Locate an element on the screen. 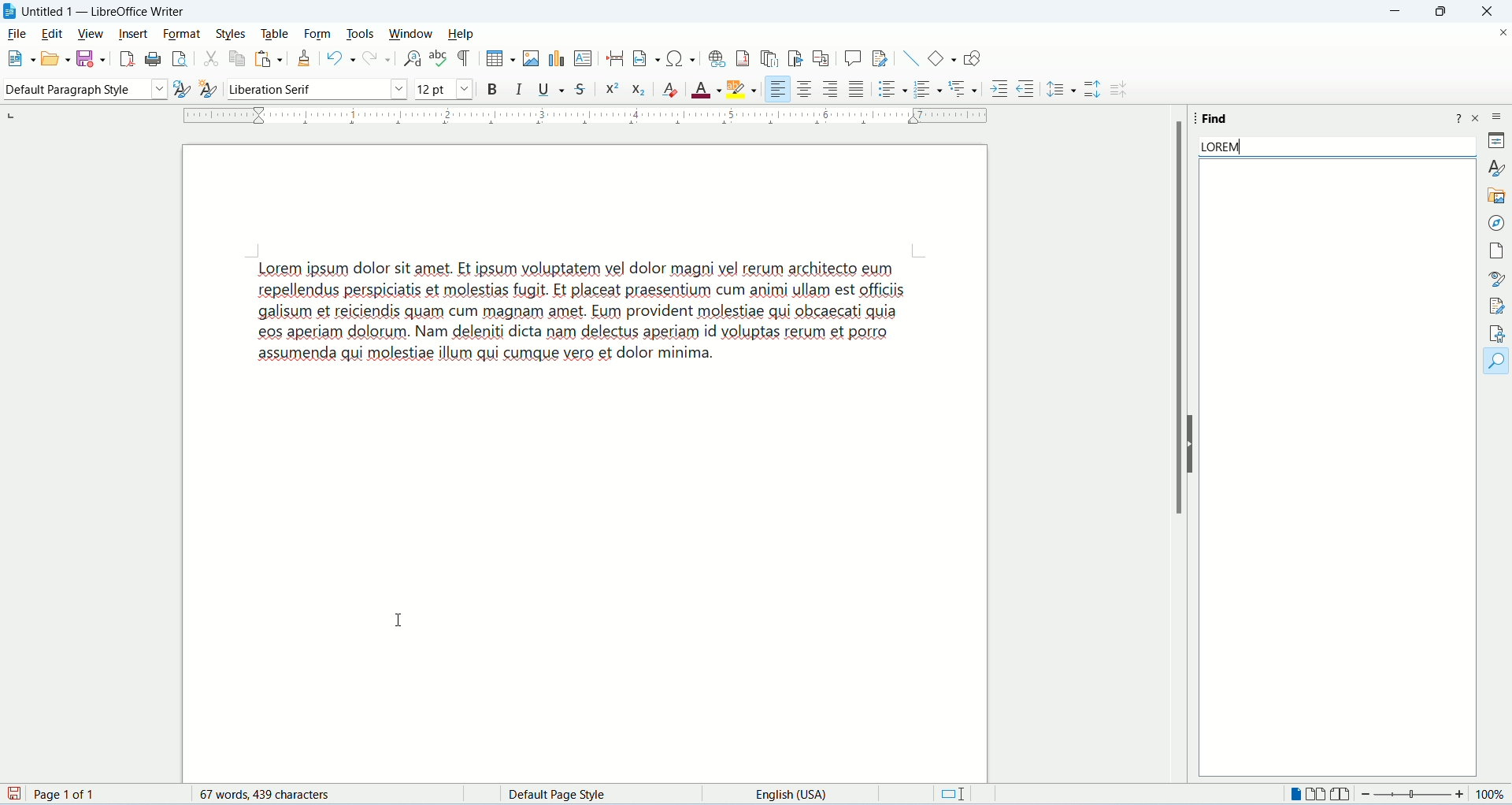  language is located at coordinates (793, 796).